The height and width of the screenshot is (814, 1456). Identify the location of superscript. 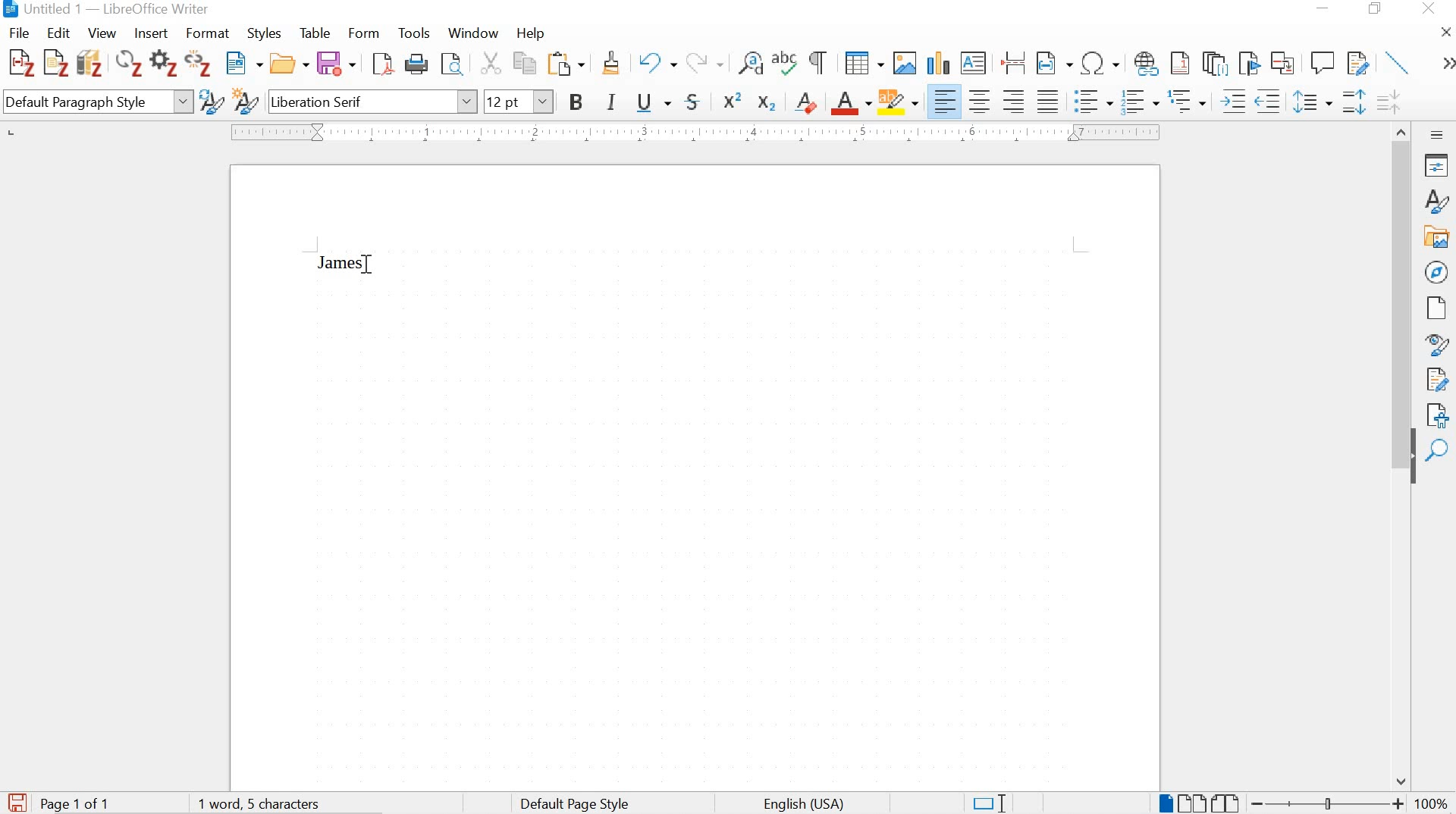
(734, 100).